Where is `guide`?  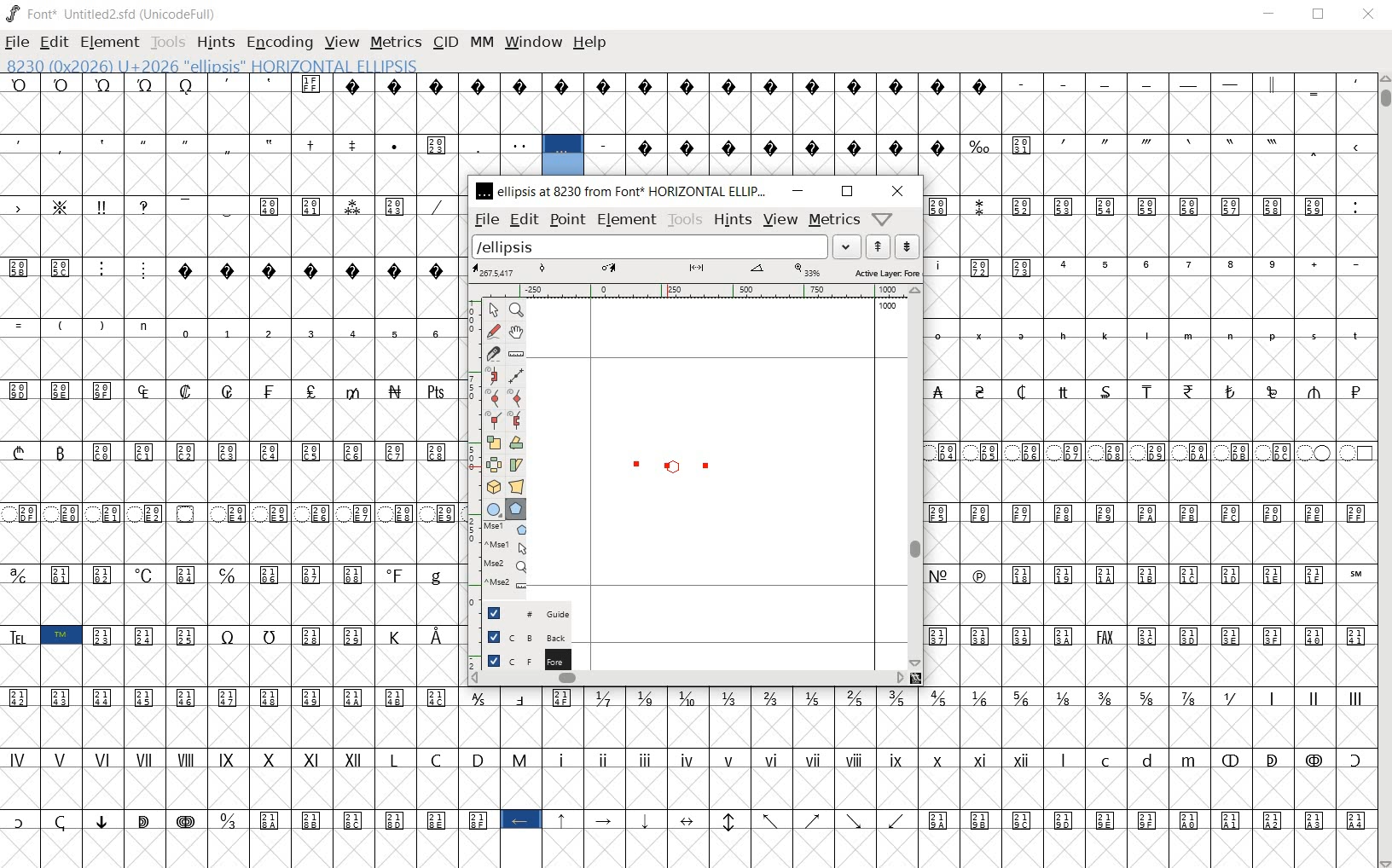
guide is located at coordinates (520, 612).